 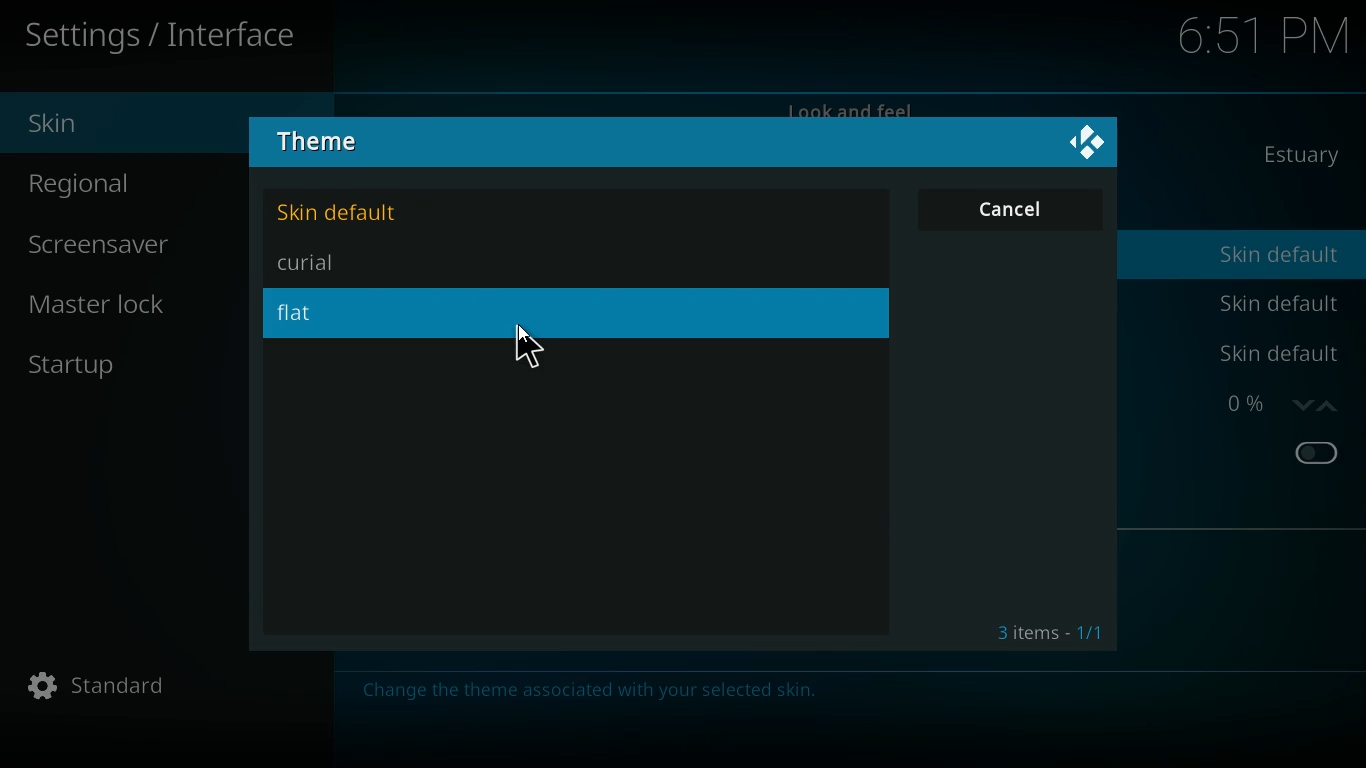 I want to click on estuary, so click(x=1294, y=155).